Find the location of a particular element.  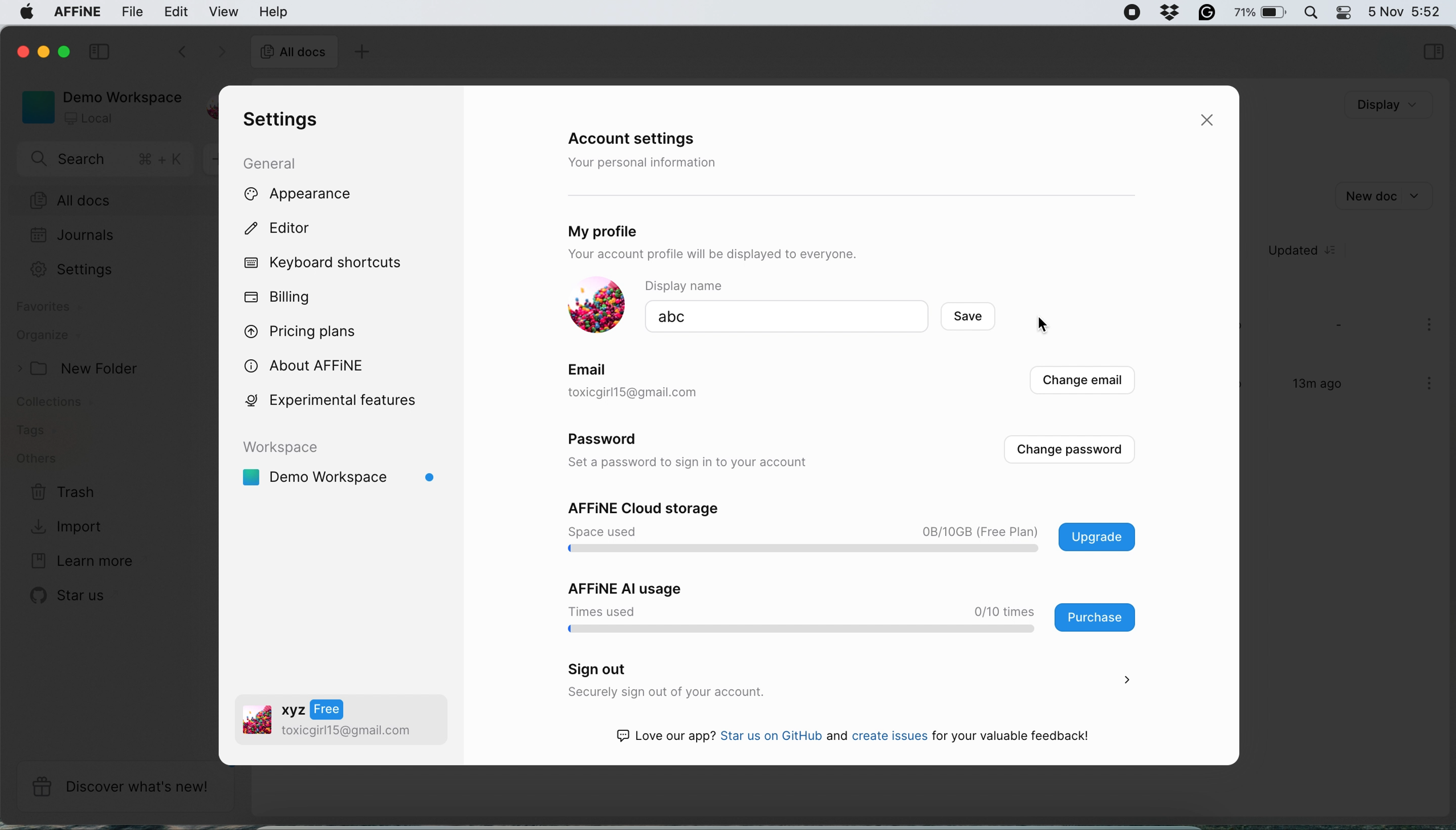

all docs is located at coordinates (112, 201).